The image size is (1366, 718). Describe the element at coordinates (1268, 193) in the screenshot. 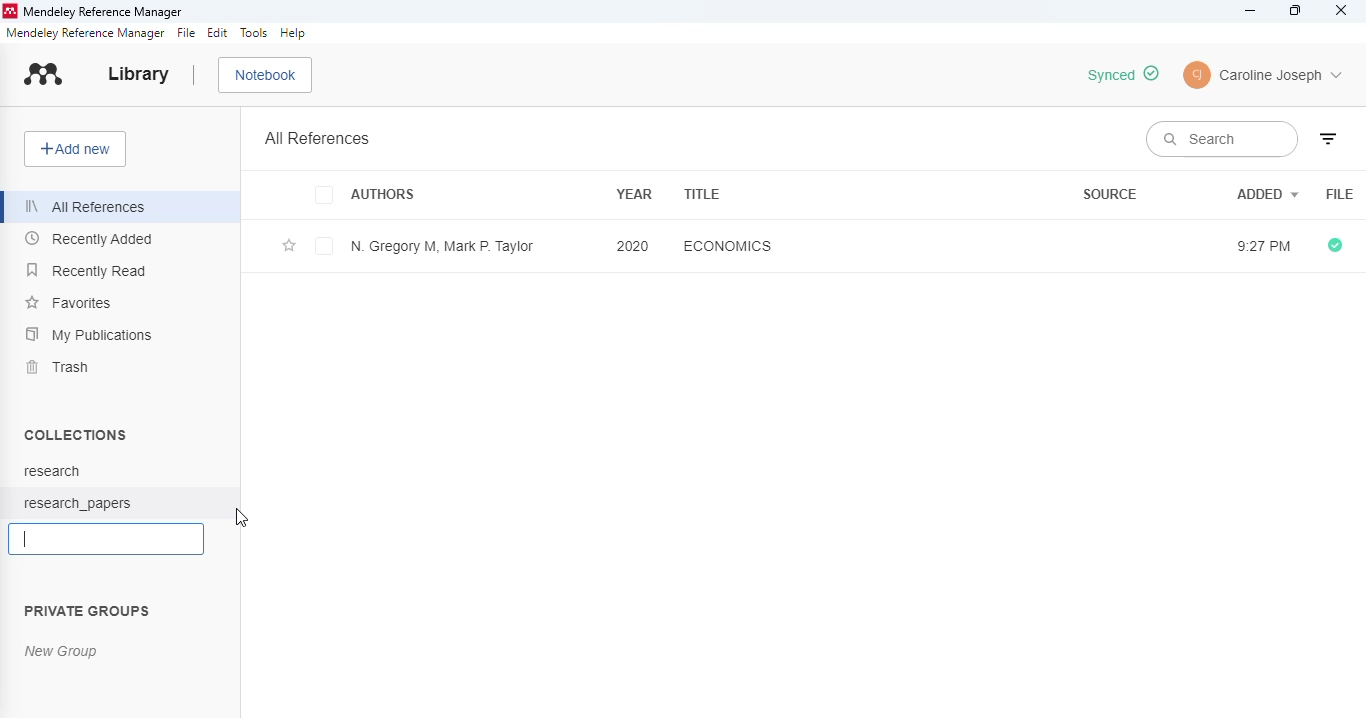

I see `added` at that location.